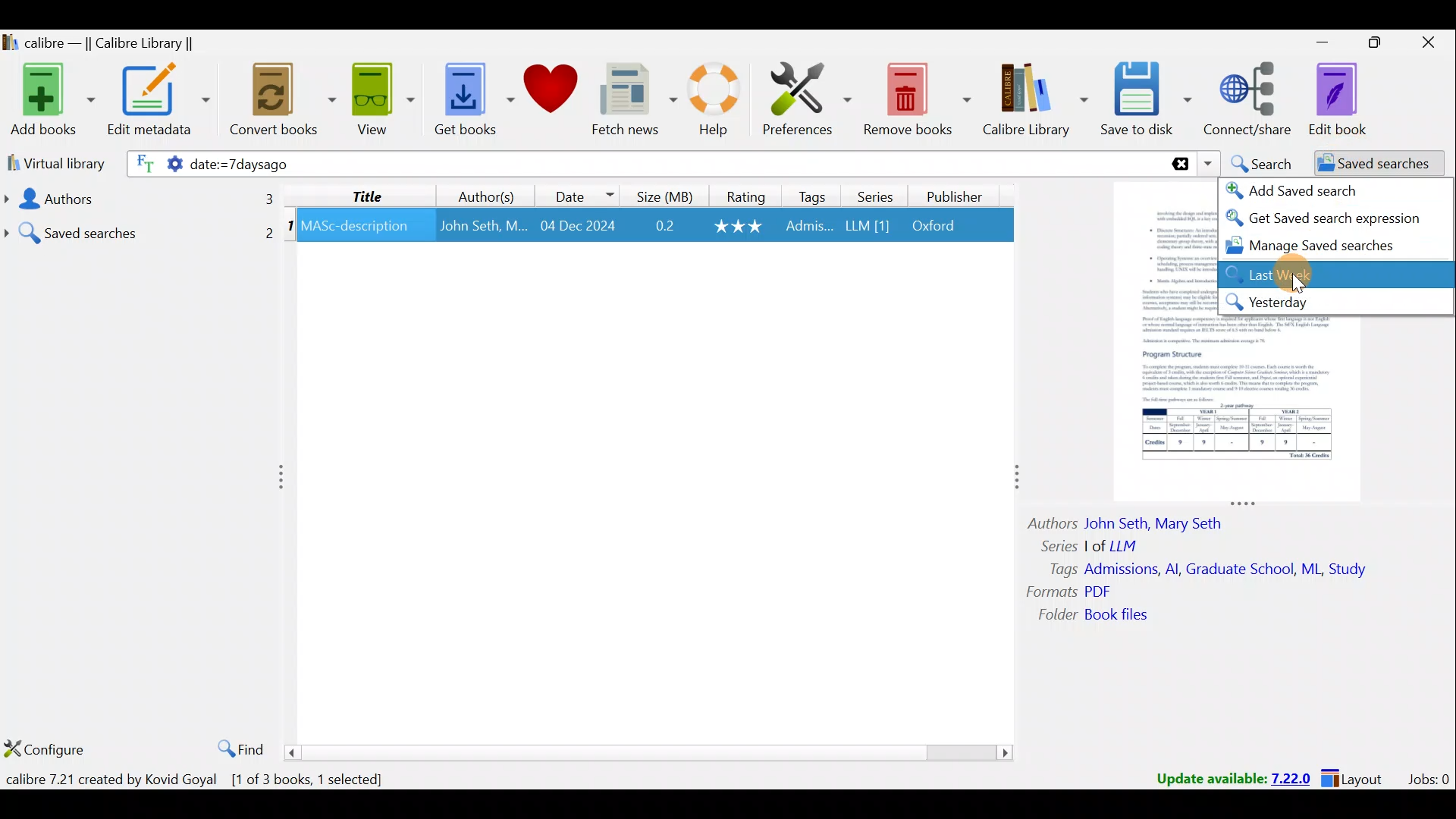 The image size is (1456, 819). I want to click on Donate, so click(550, 91).